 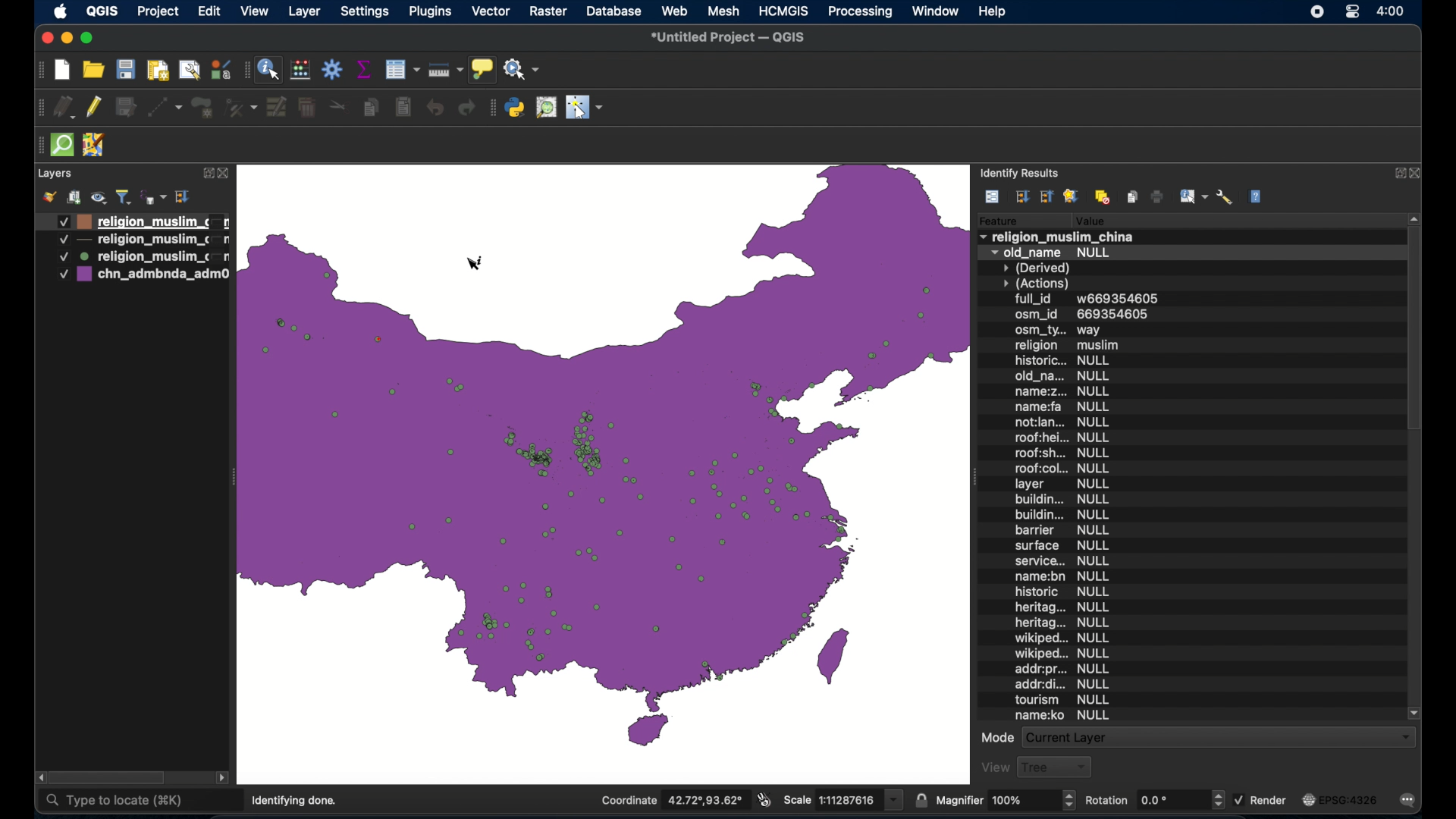 I want to click on osm palce search, so click(x=545, y=108).